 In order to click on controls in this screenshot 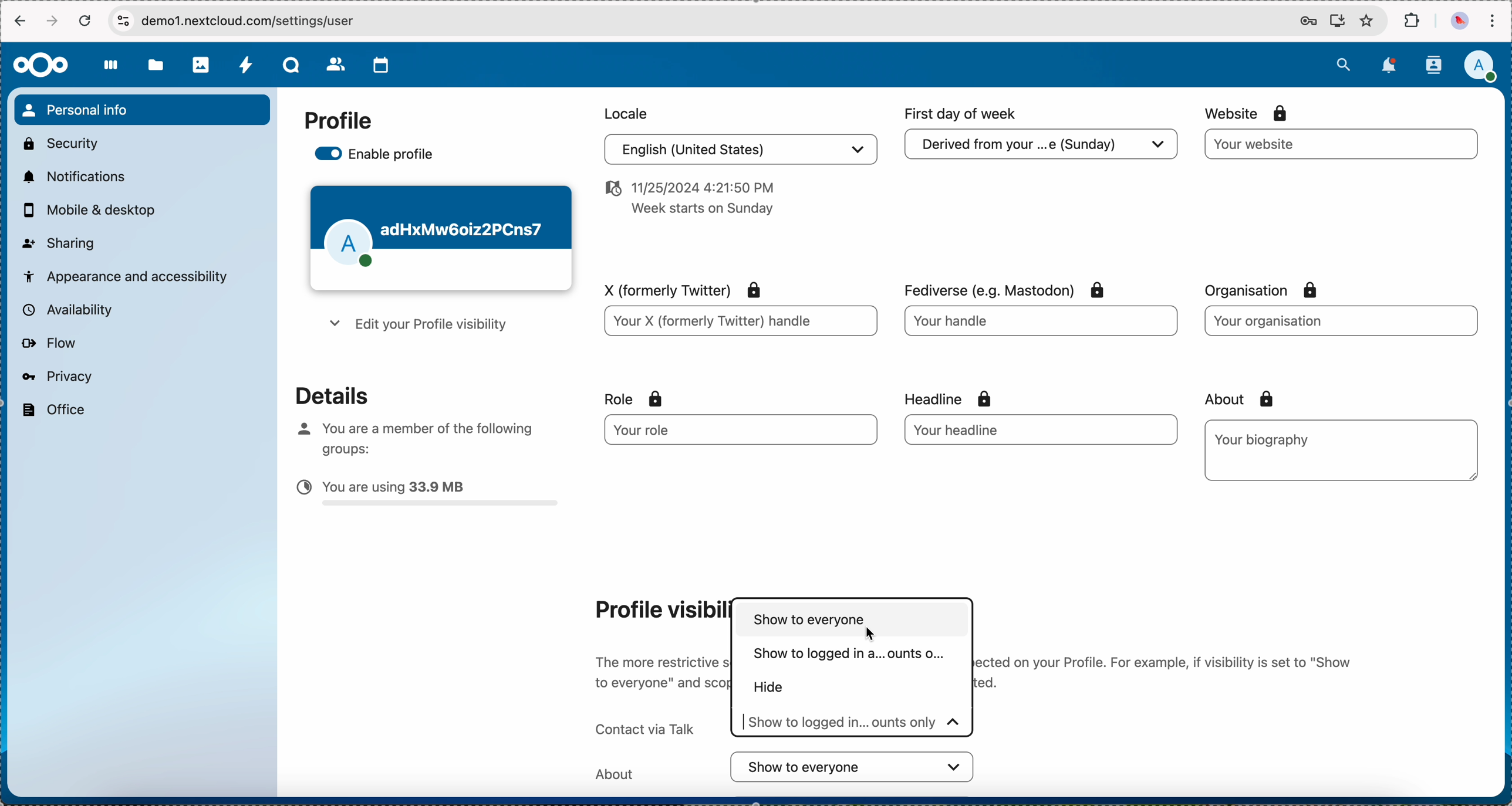, I will do `click(123, 20)`.